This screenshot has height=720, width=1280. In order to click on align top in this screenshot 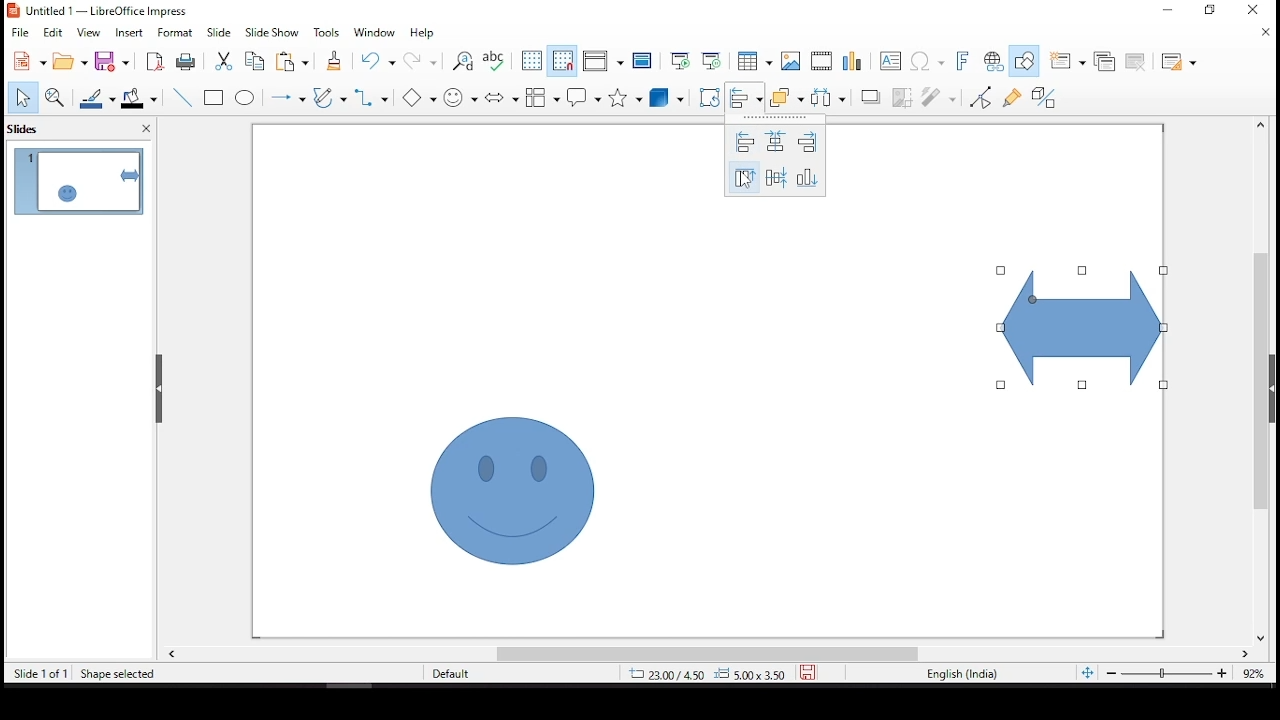, I will do `click(743, 179)`.